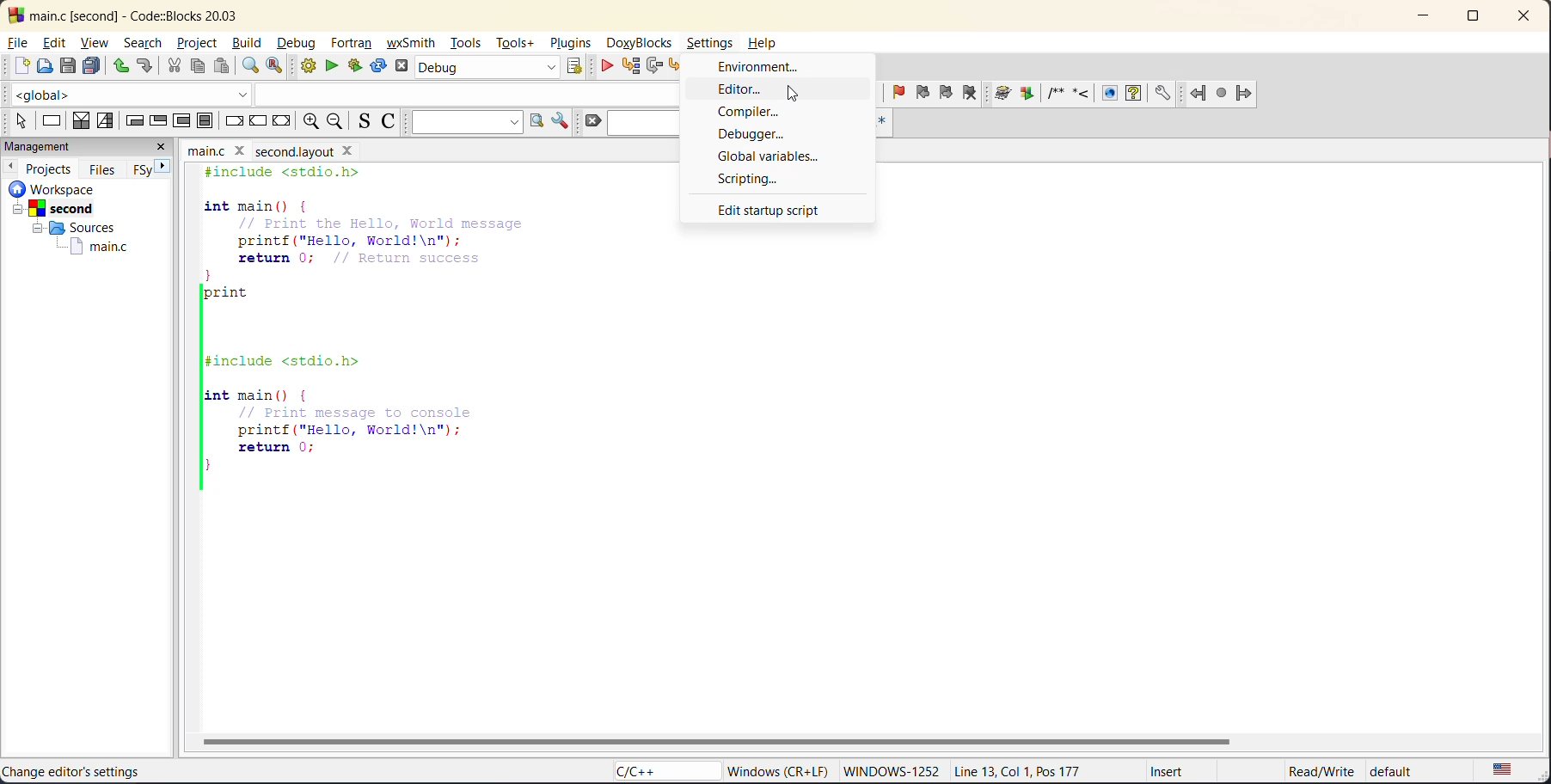 The height and width of the screenshot is (784, 1551). Describe the element at coordinates (107, 120) in the screenshot. I see `selection` at that location.